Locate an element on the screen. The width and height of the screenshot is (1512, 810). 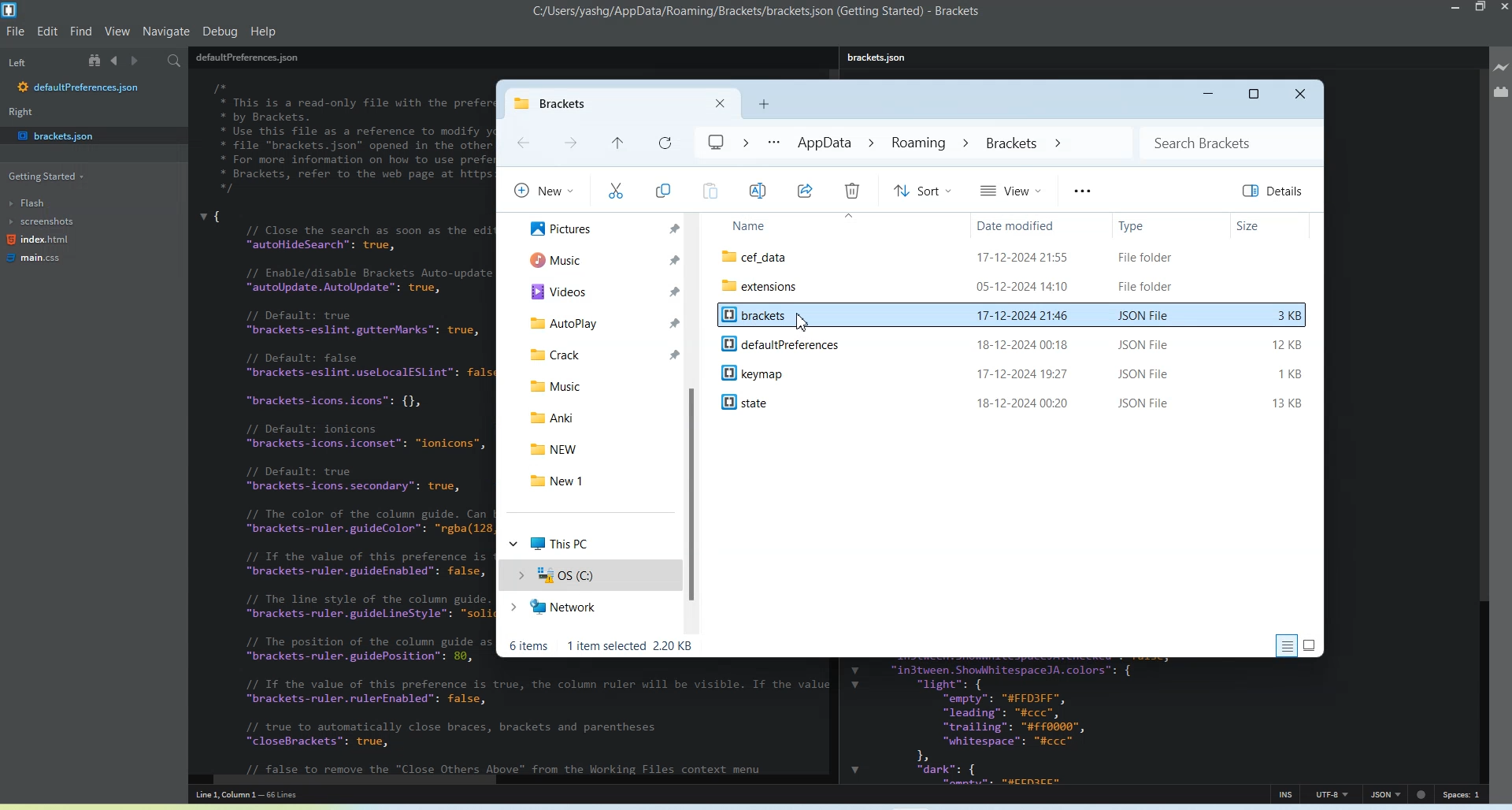
Videos is located at coordinates (599, 290).